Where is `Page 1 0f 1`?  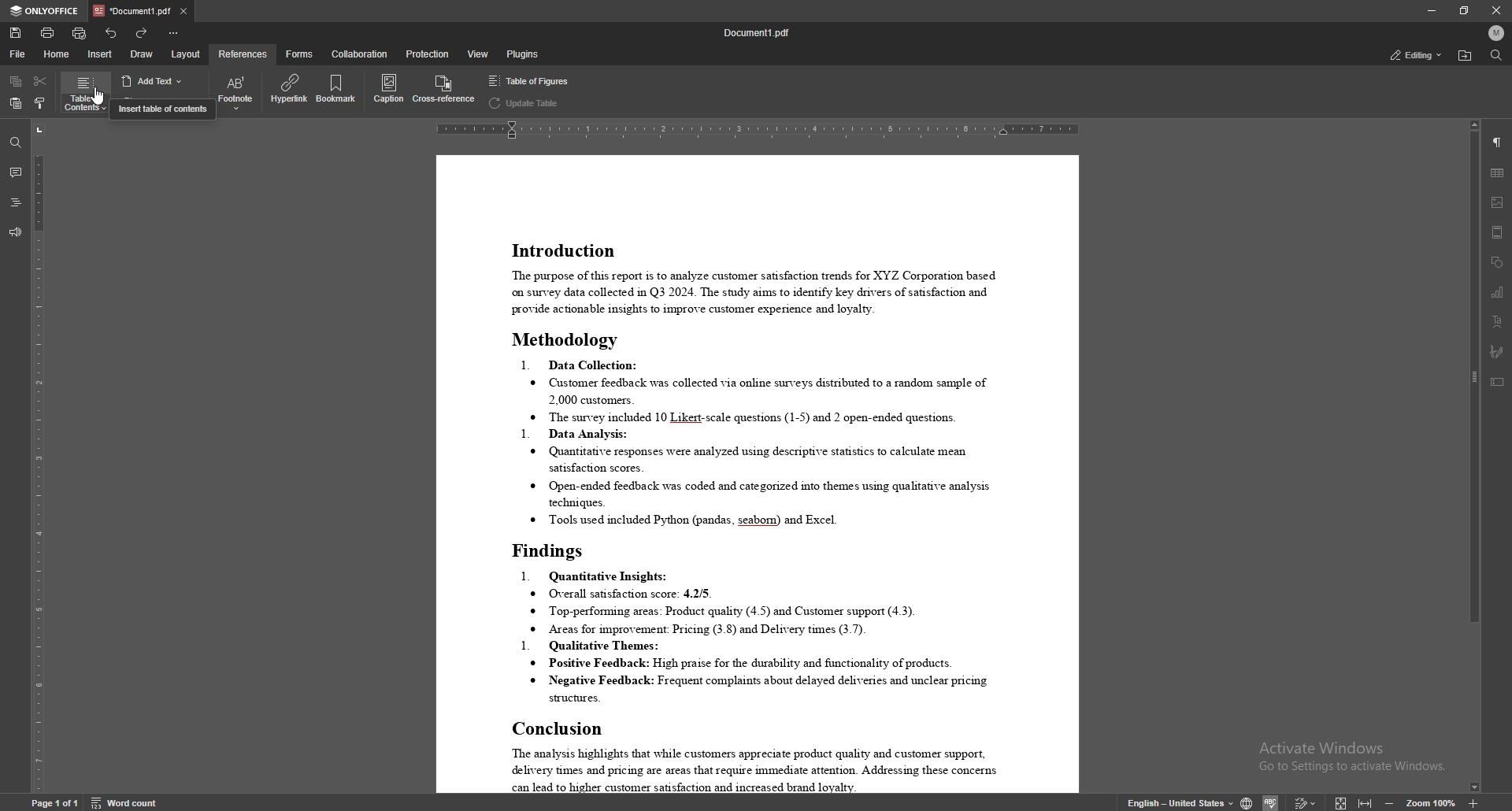
Page 1 0f 1 is located at coordinates (57, 802).